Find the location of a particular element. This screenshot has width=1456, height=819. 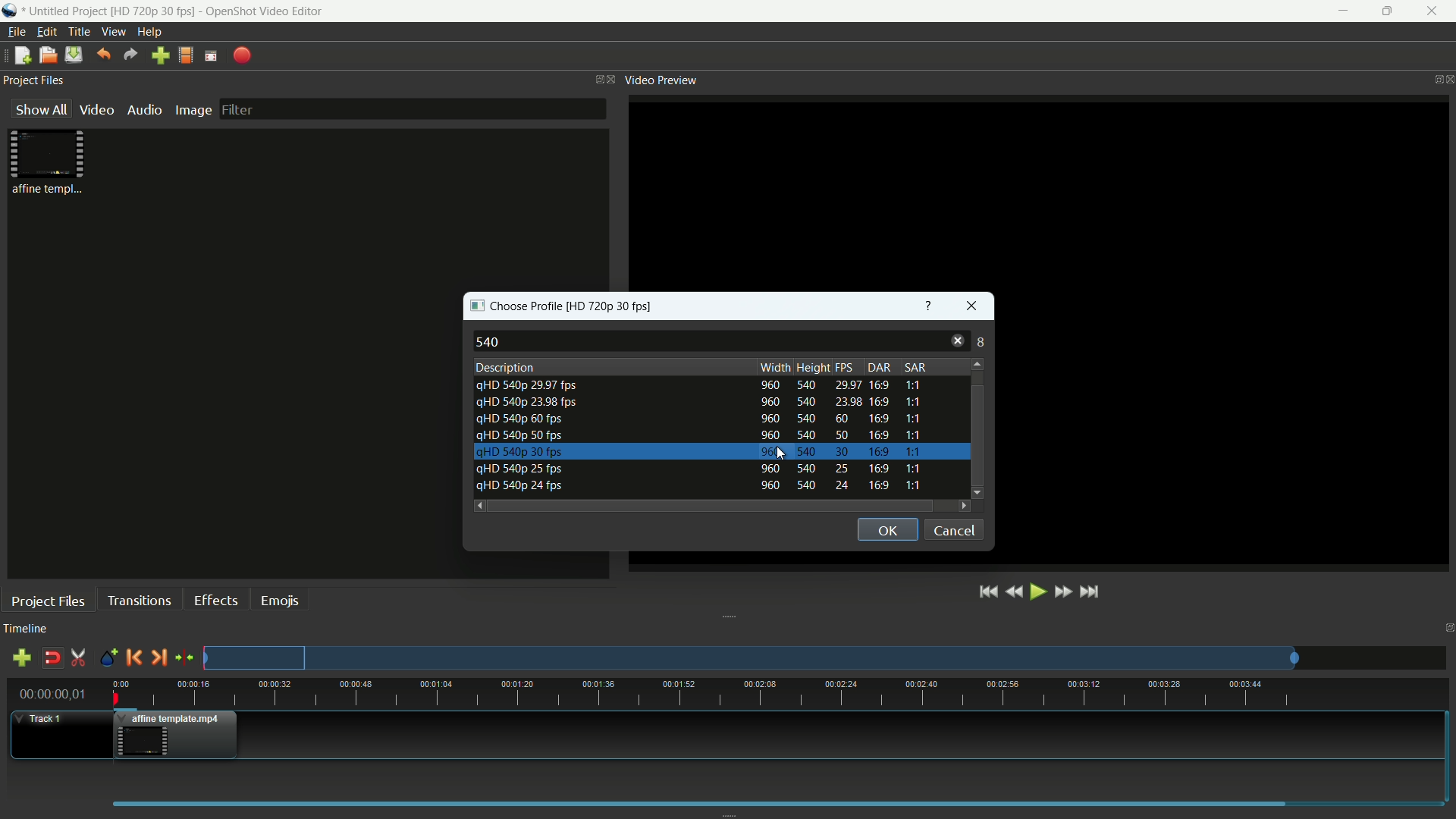

previous marker is located at coordinates (133, 657).